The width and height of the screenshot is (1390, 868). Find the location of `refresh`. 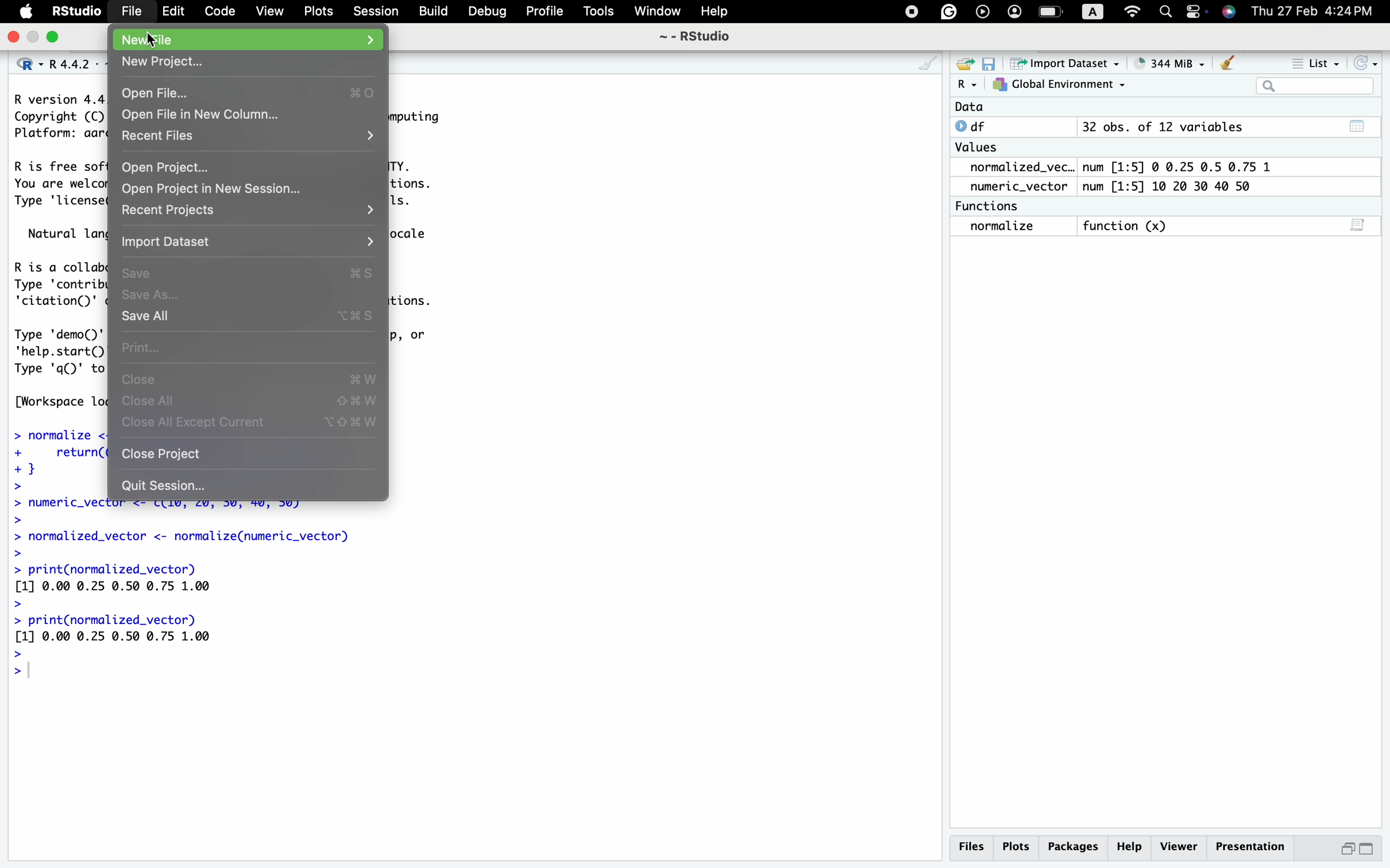

refresh is located at coordinates (1362, 63).